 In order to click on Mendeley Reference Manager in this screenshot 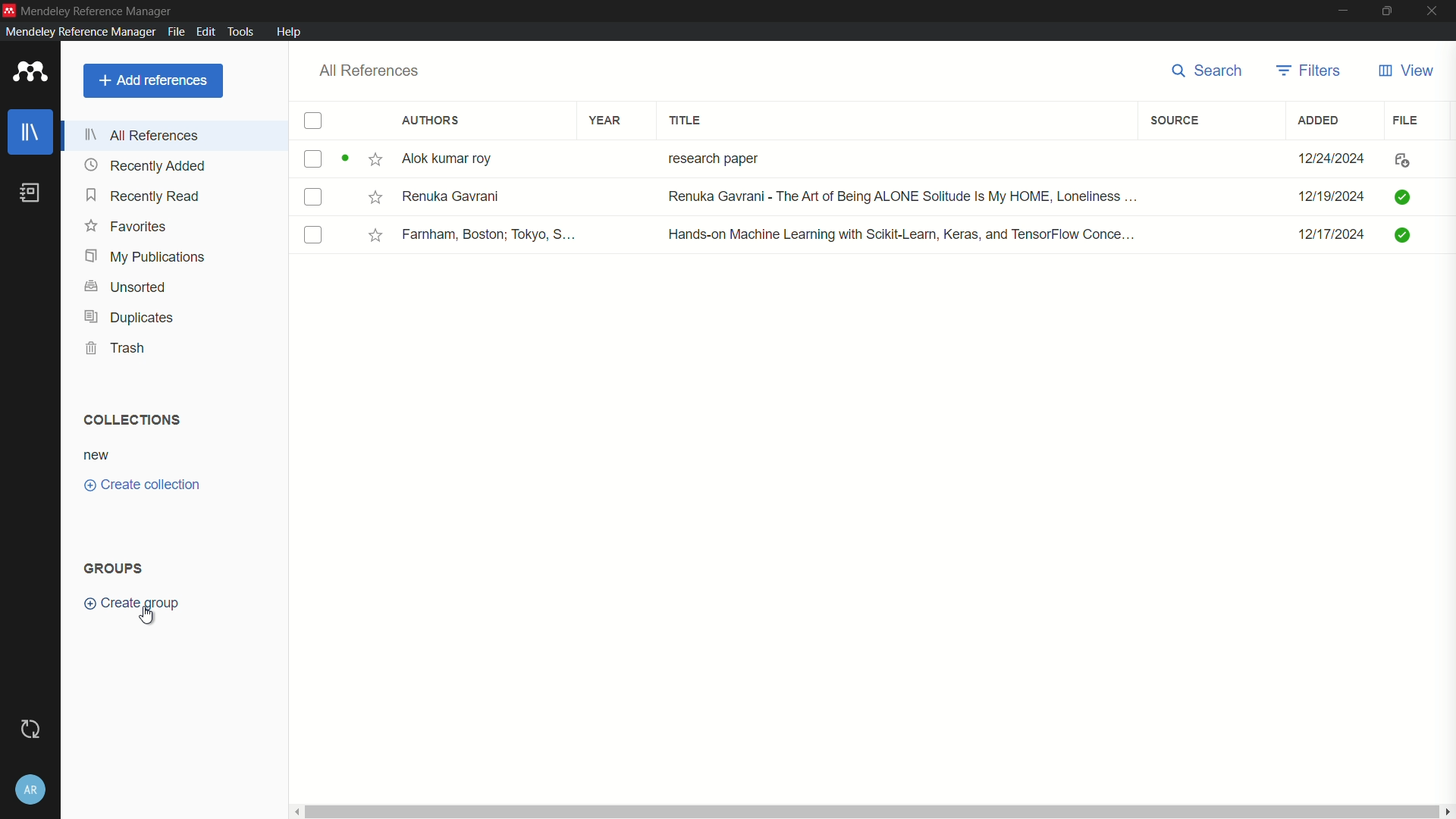, I will do `click(96, 9)`.